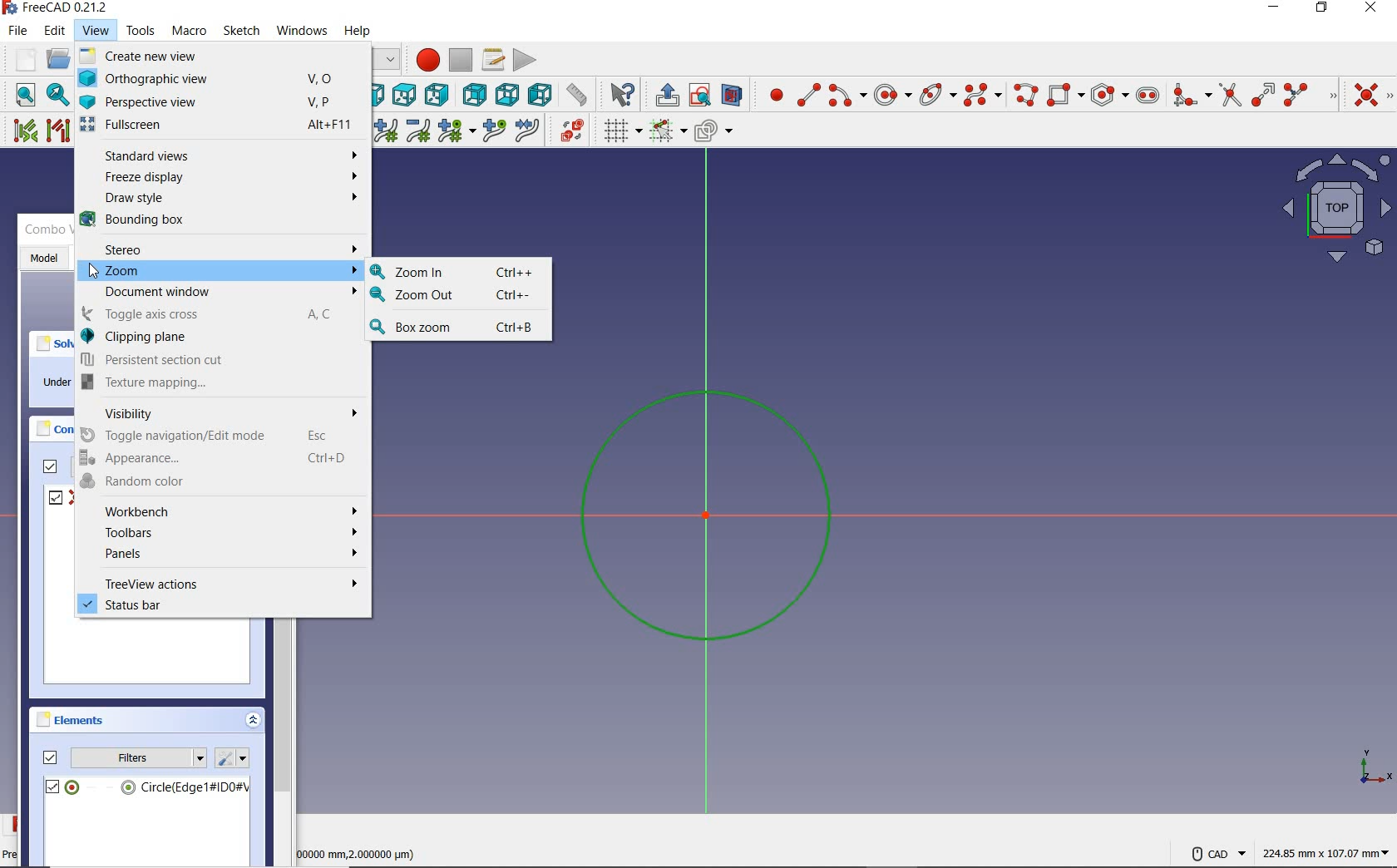  Describe the element at coordinates (1370, 94) in the screenshot. I see `constrain coincident` at that location.